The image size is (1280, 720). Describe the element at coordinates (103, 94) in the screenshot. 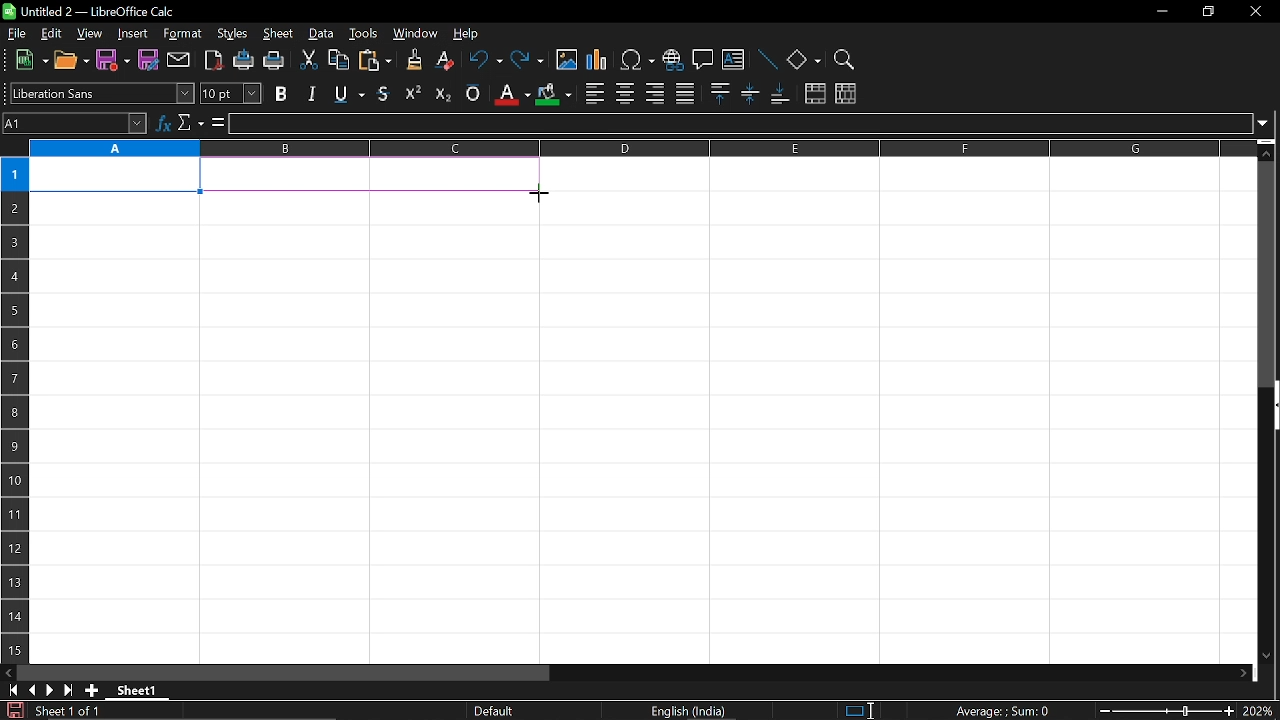

I see `text style` at that location.